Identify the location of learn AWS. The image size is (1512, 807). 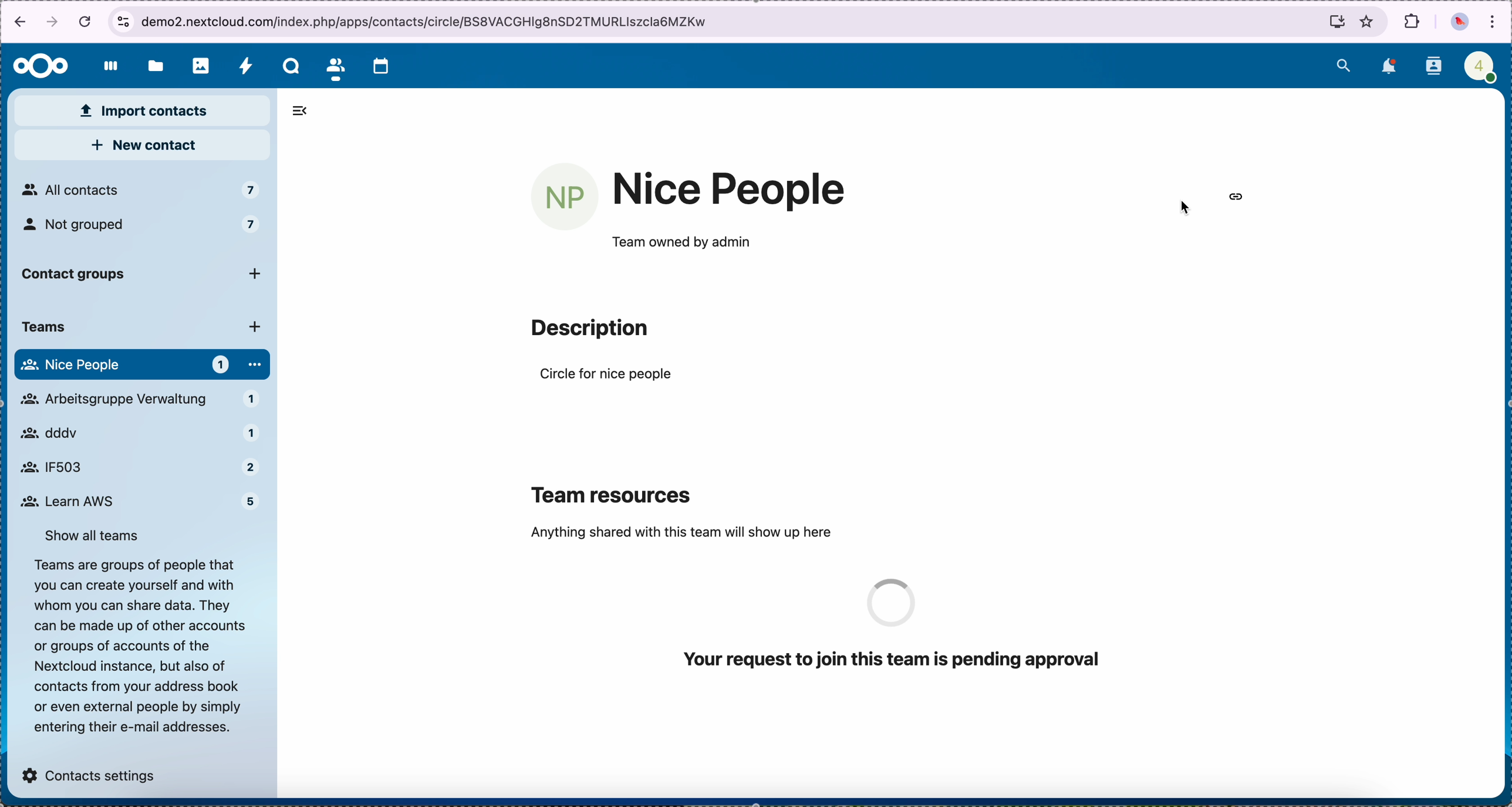
(137, 465).